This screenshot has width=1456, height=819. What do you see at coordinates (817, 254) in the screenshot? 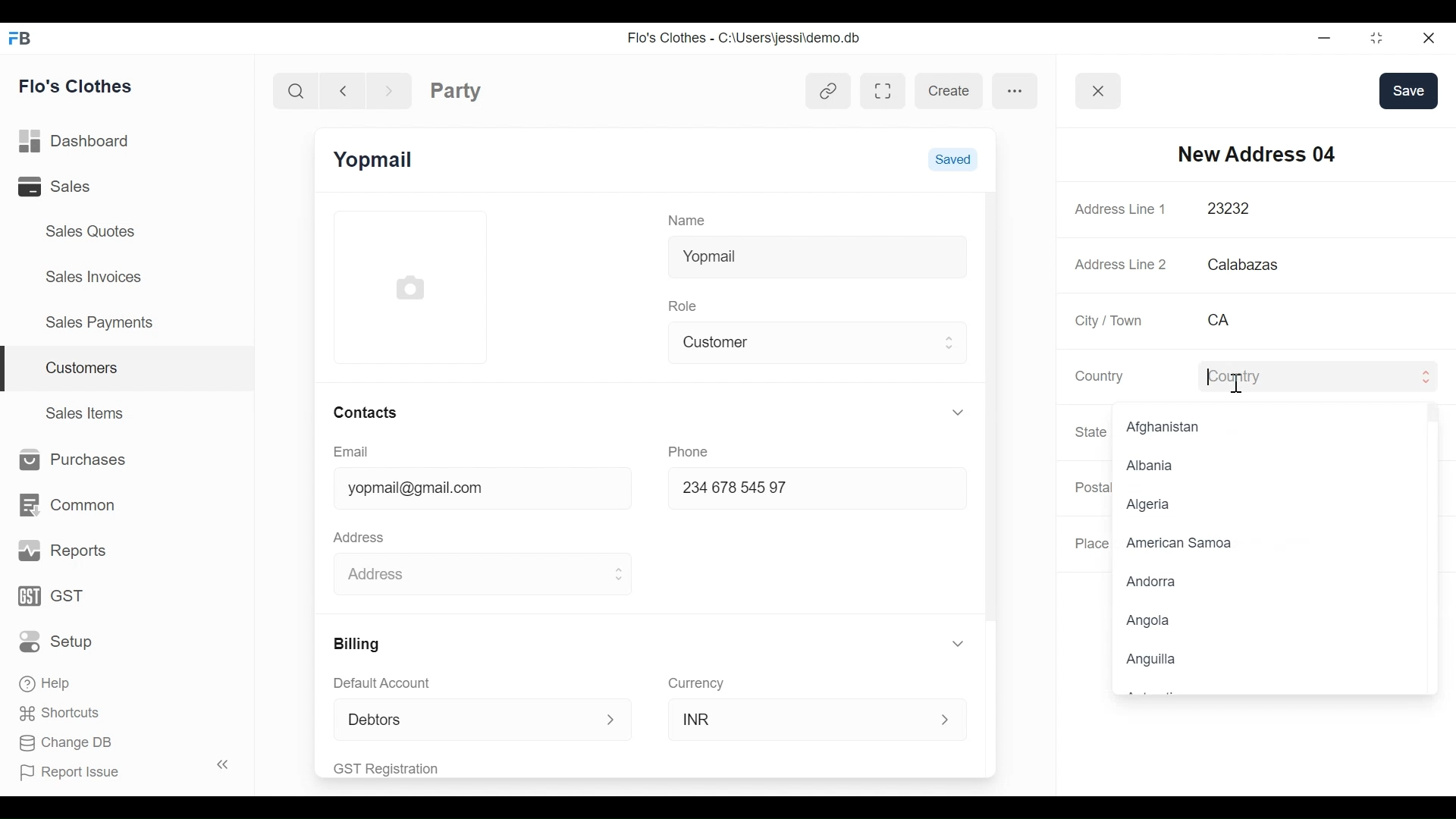
I see `Yopmail` at bounding box center [817, 254].